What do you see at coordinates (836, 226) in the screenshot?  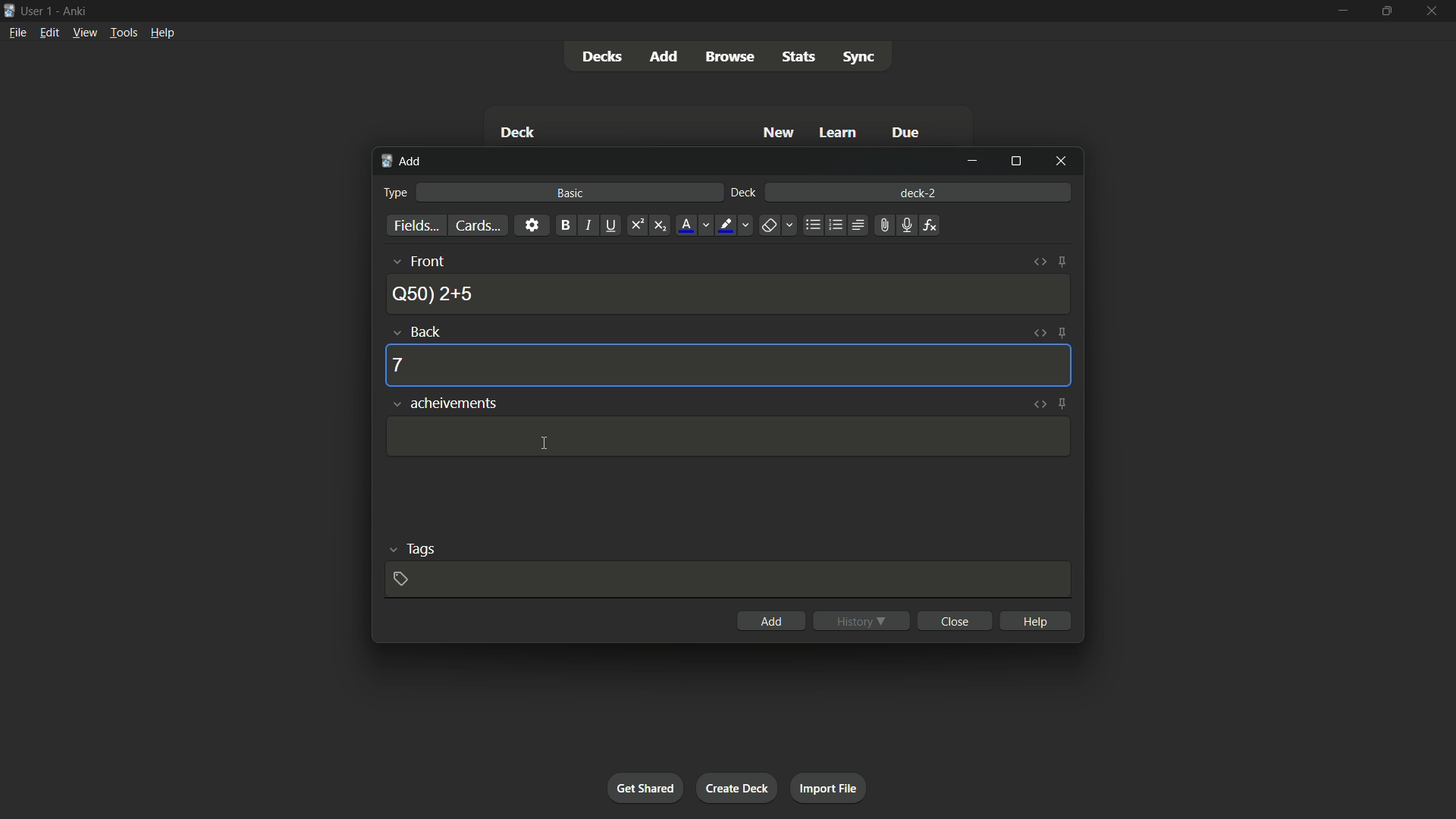 I see `ordered list` at bounding box center [836, 226].